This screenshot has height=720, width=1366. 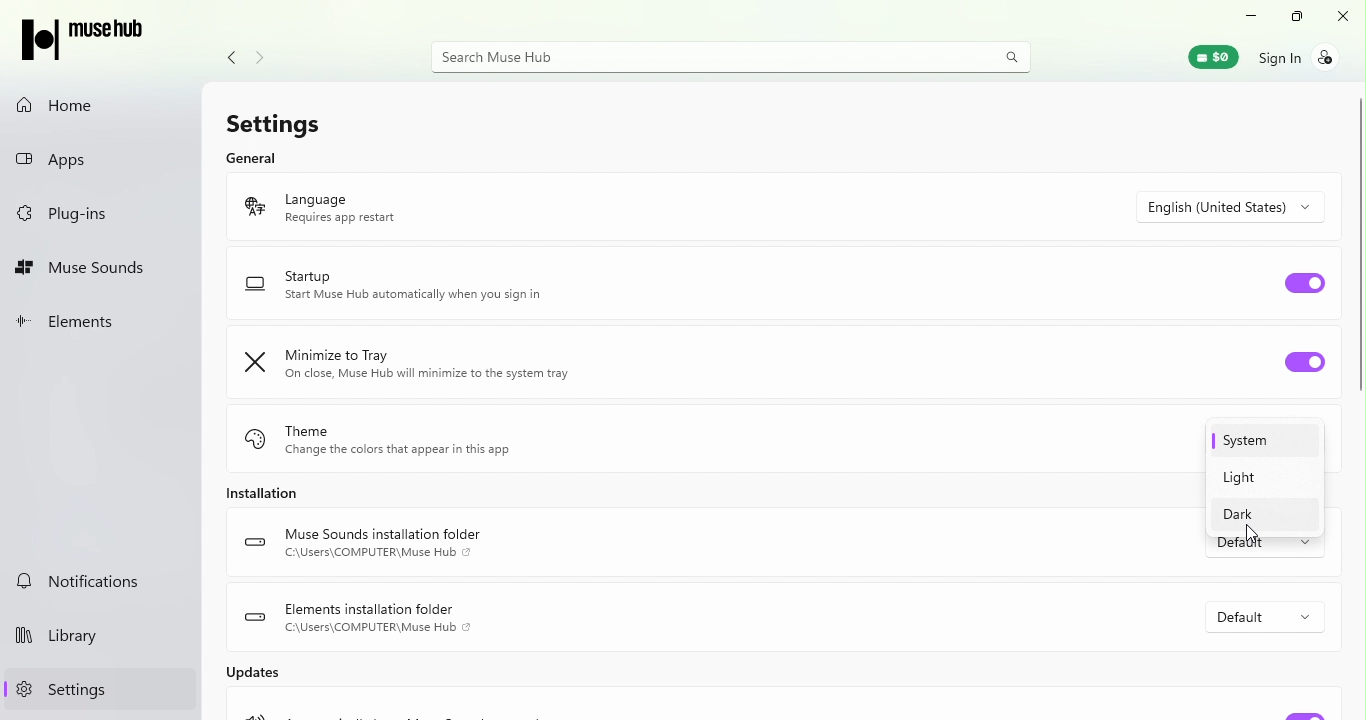 What do you see at coordinates (447, 365) in the screenshot?
I see `Minimize to tray` at bounding box center [447, 365].